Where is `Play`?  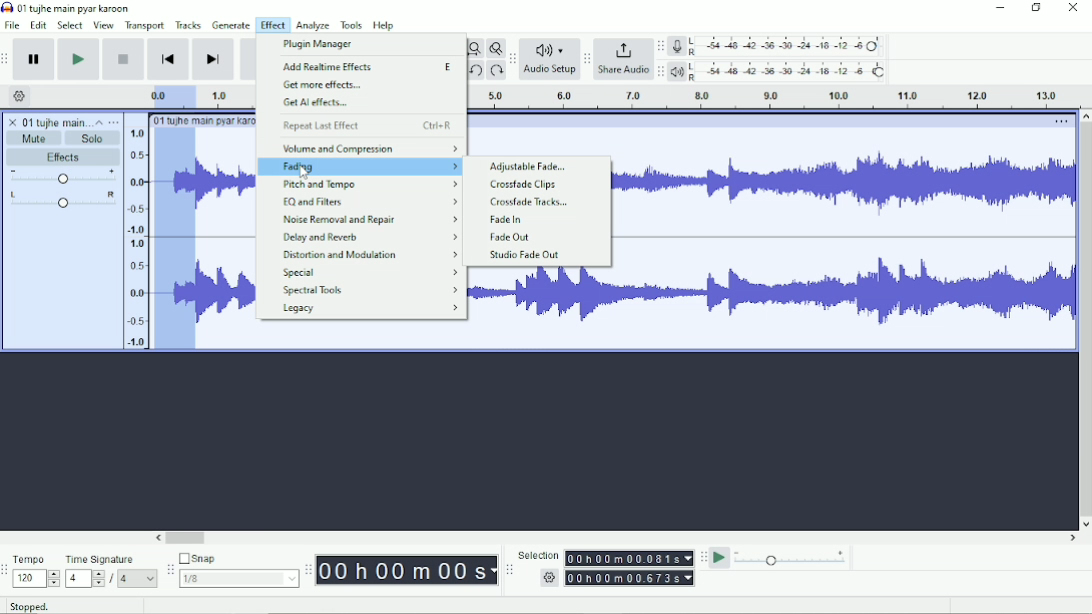
Play is located at coordinates (78, 59).